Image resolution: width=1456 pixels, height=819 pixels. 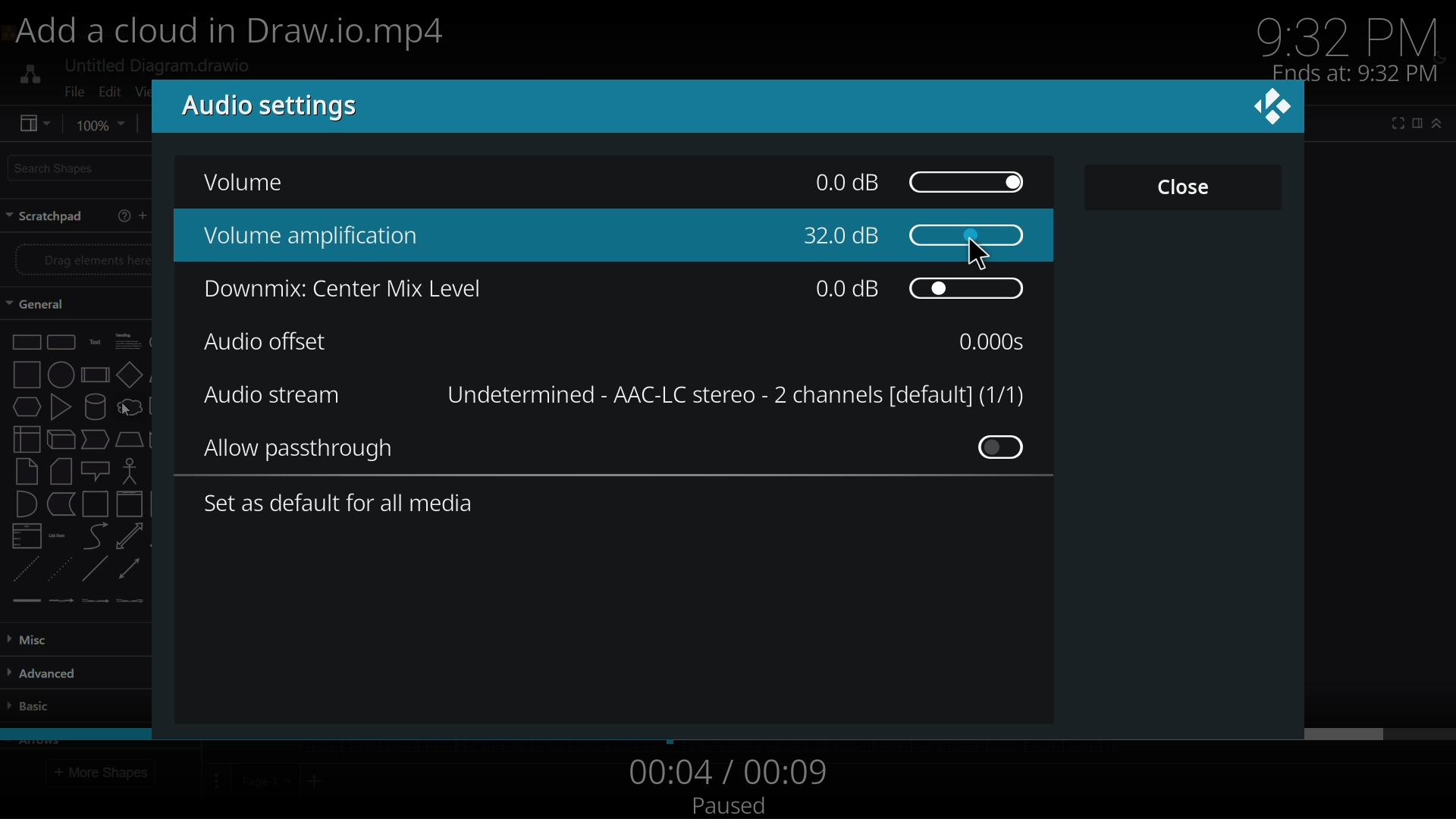 I want to click on audio stream, so click(x=271, y=394).